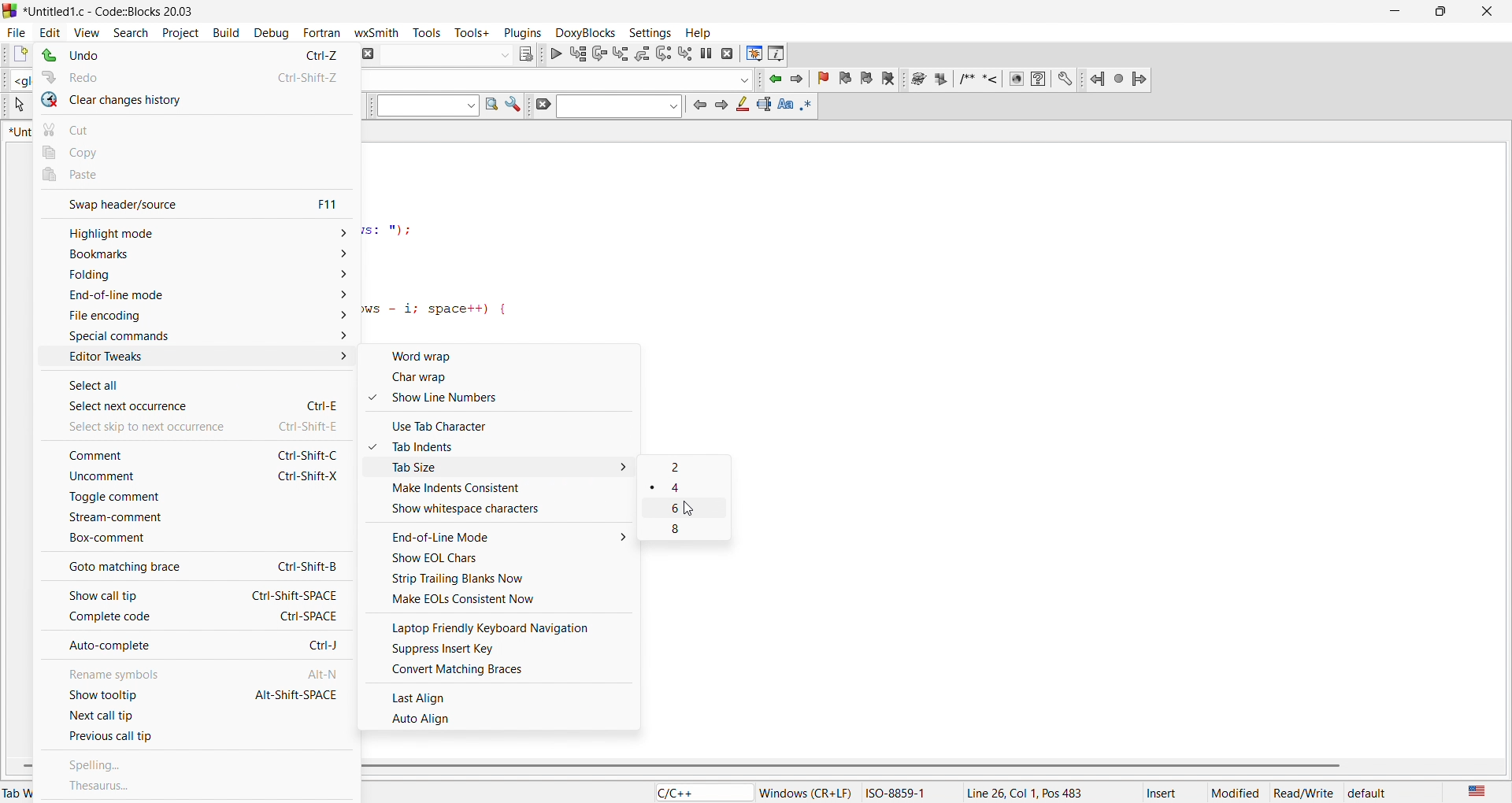 Image resolution: width=1512 pixels, height=803 pixels. What do you see at coordinates (795, 81) in the screenshot?
I see `jump forward` at bounding box center [795, 81].